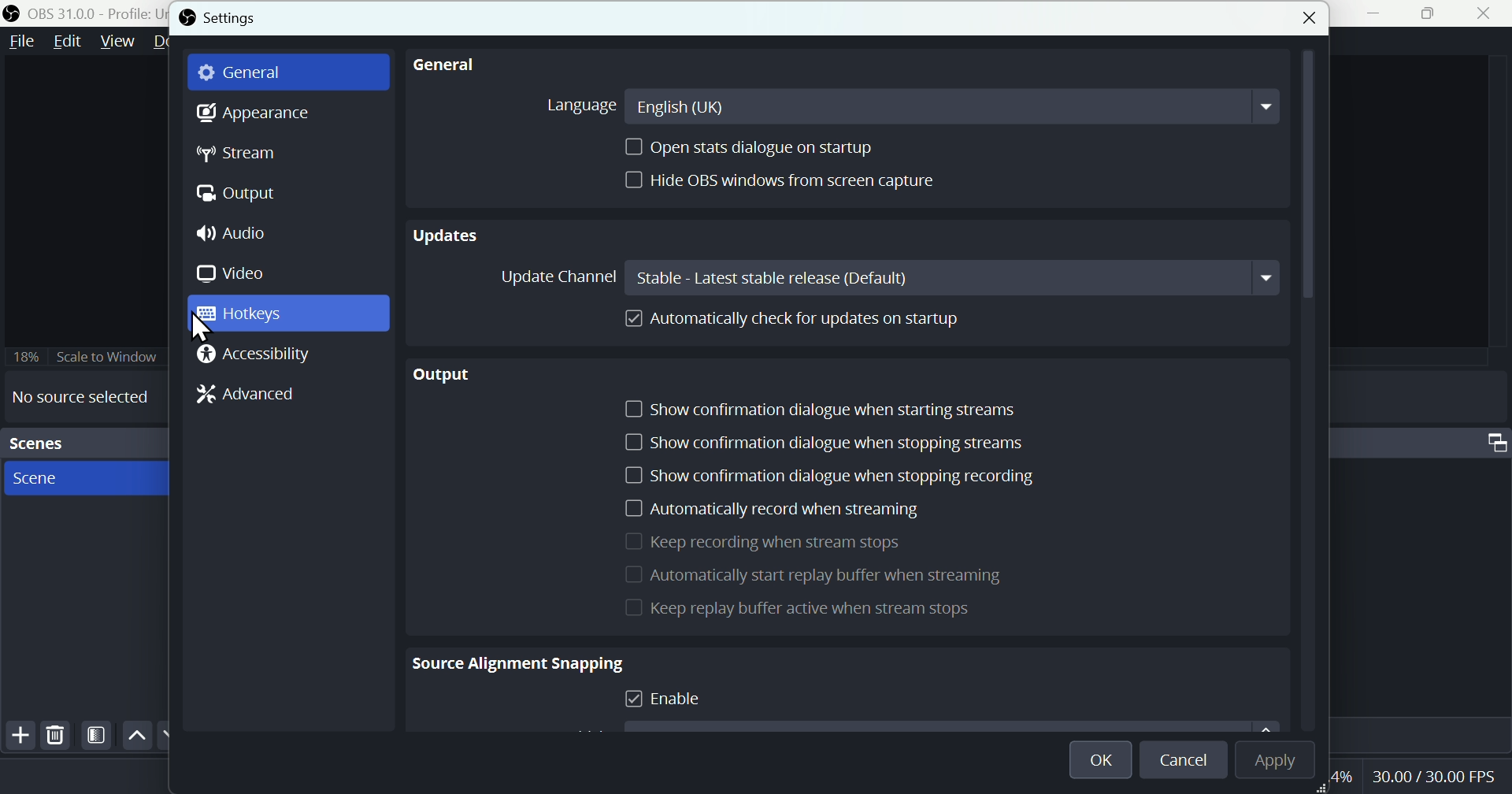 The image size is (1512, 794). What do you see at coordinates (250, 154) in the screenshot?
I see `Stream` at bounding box center [250, 154].